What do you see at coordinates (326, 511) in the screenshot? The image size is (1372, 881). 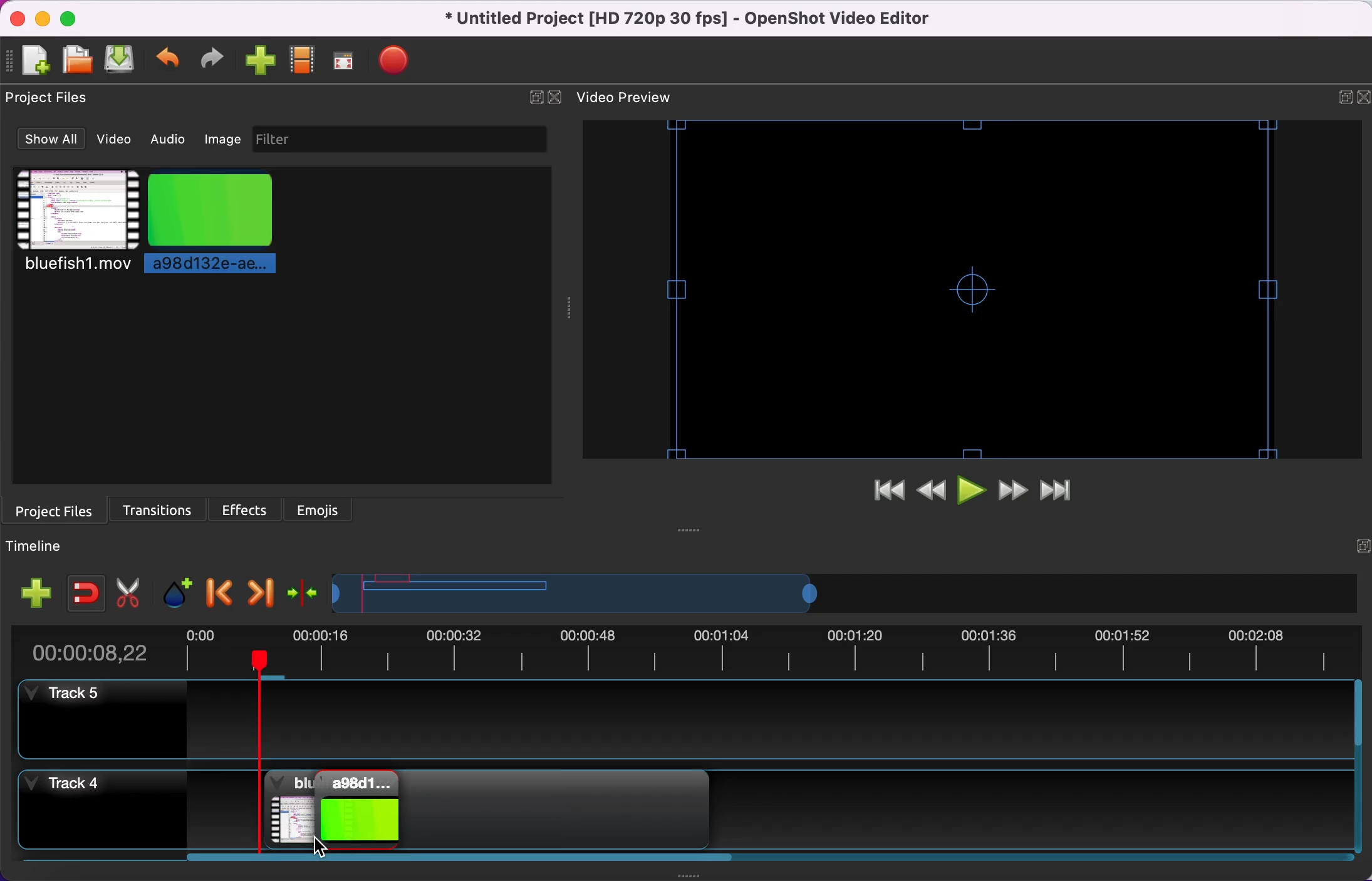 I see `emojis` at bounding box center [326, 511].